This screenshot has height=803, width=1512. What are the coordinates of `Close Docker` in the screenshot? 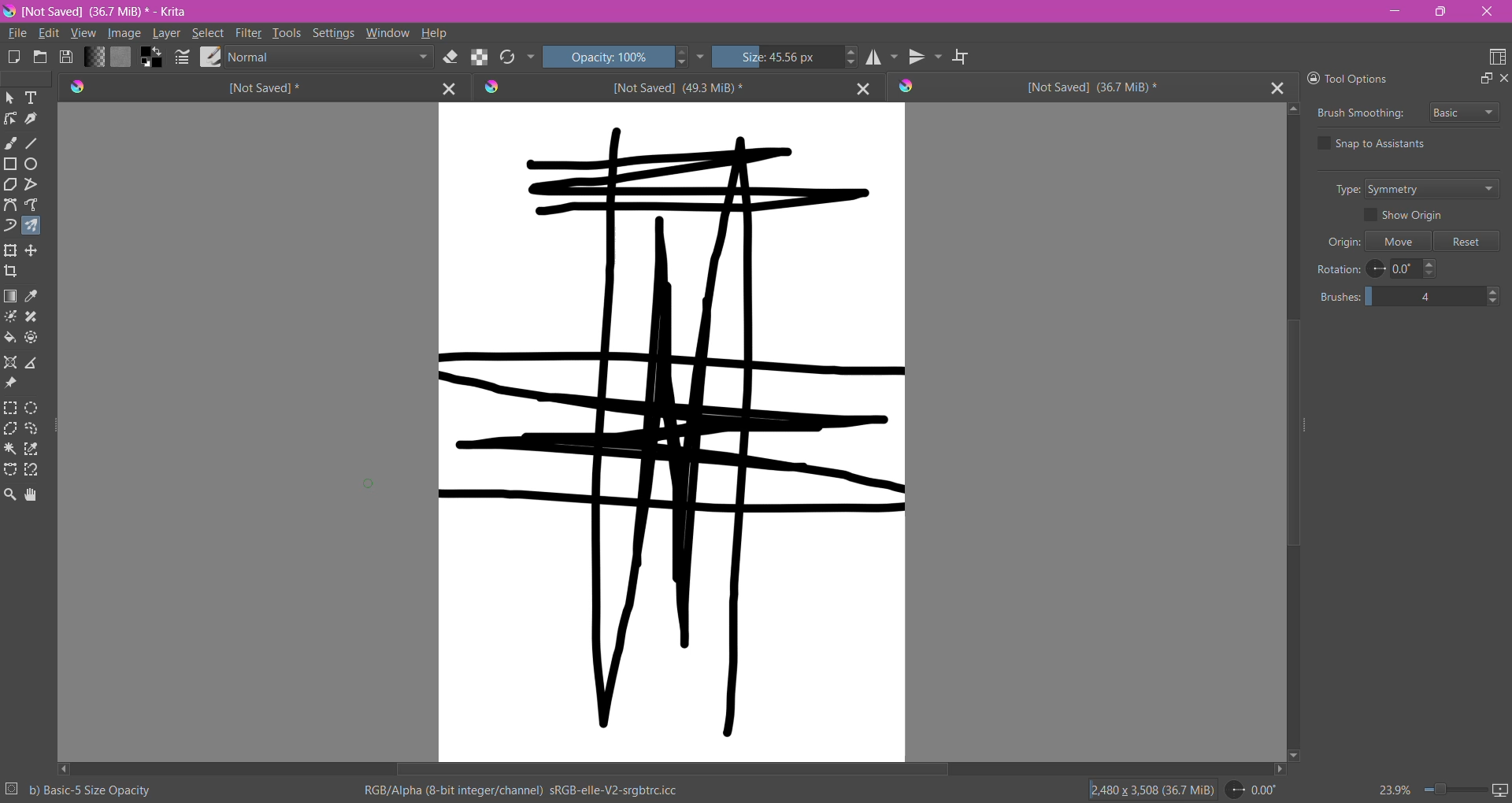 It's located at (1503, 80).